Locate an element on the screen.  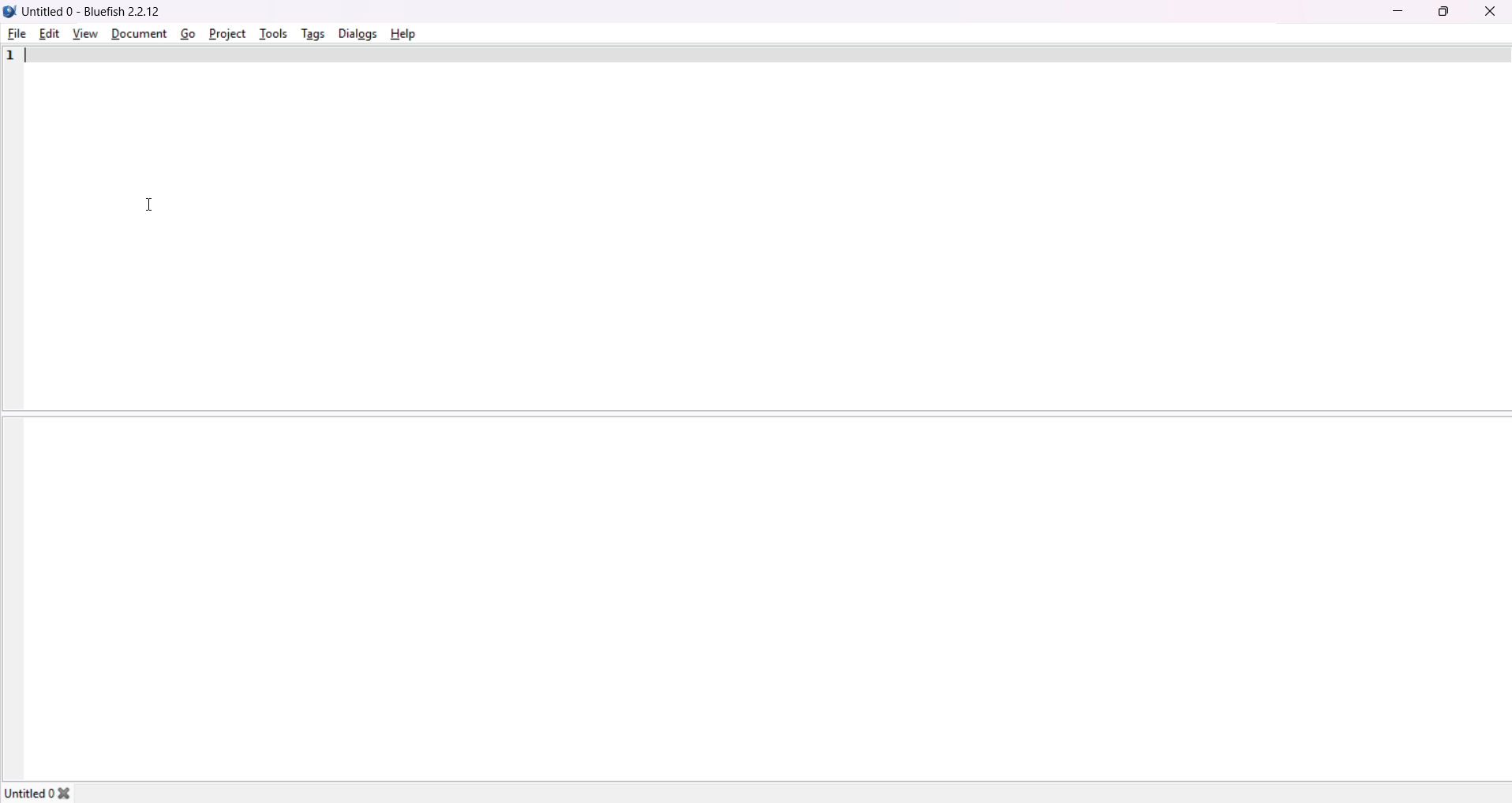
close is located at coordinates (1490, 10).